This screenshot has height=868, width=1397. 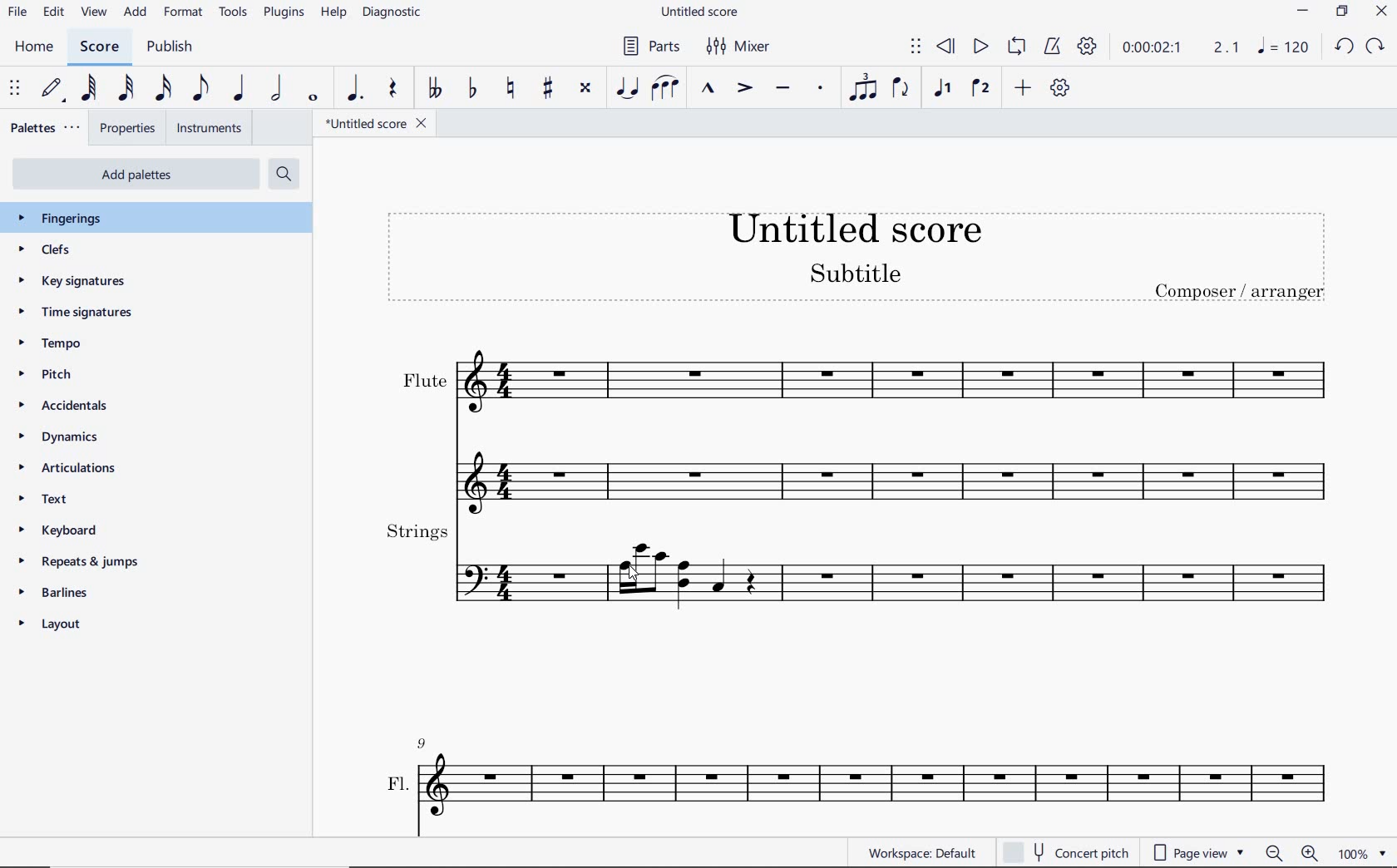 What do you see at coordinates (94, 12) in the screenshot?
I see `view` at bounding box center [94, 12].